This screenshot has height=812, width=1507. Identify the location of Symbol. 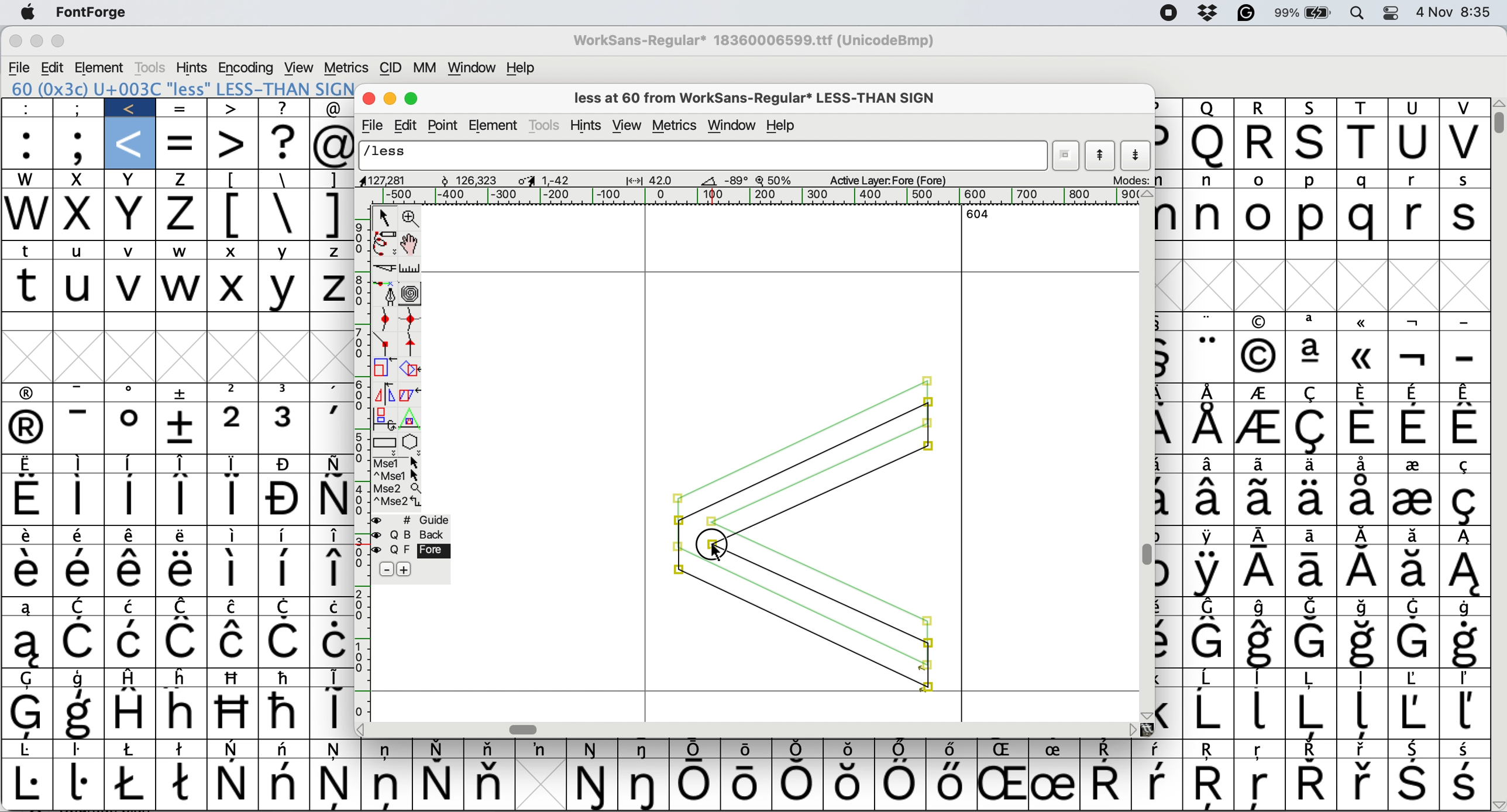
(699, 748).